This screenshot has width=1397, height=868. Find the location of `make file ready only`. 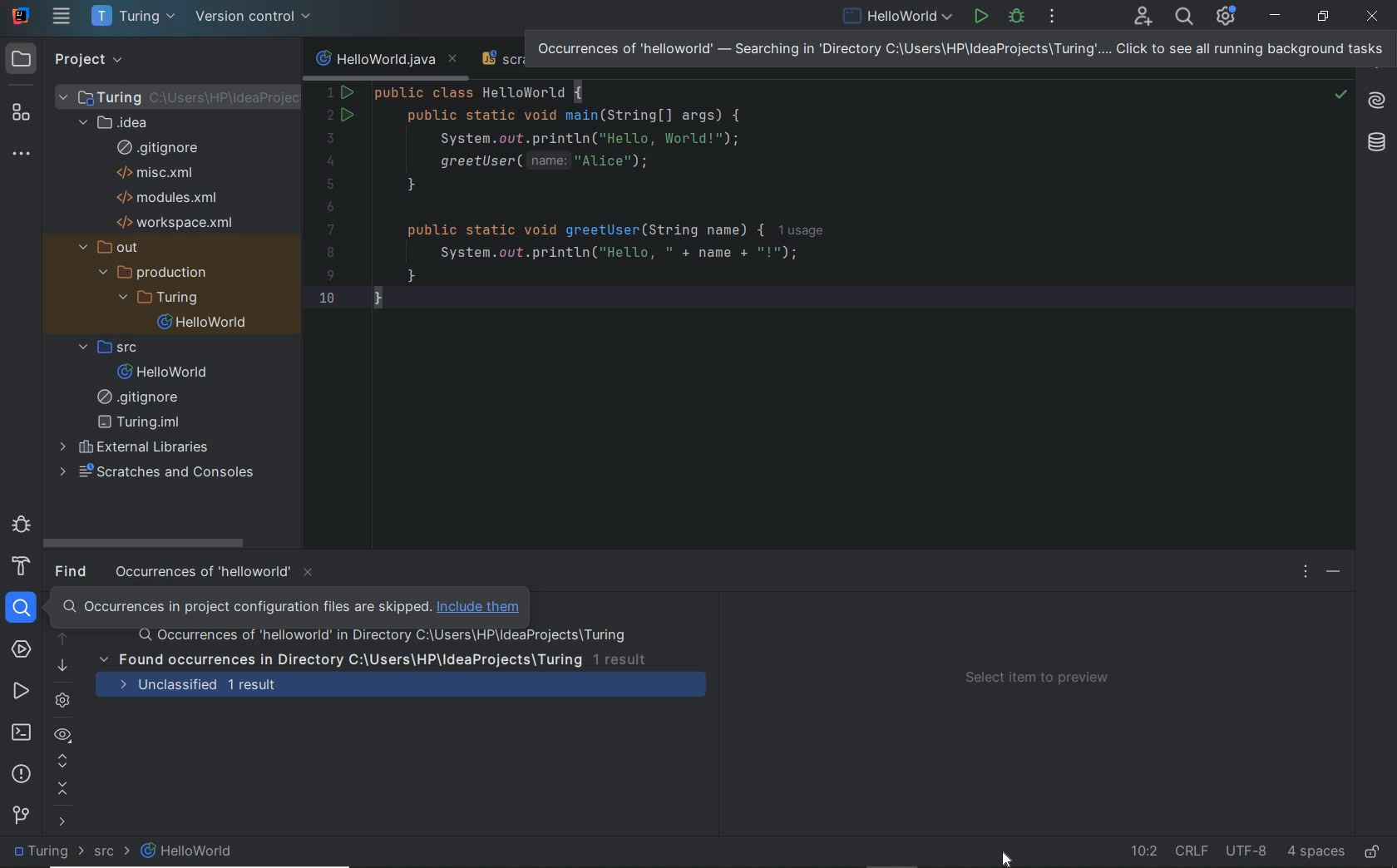

make file ready only is located at coordinates (1376, 851).